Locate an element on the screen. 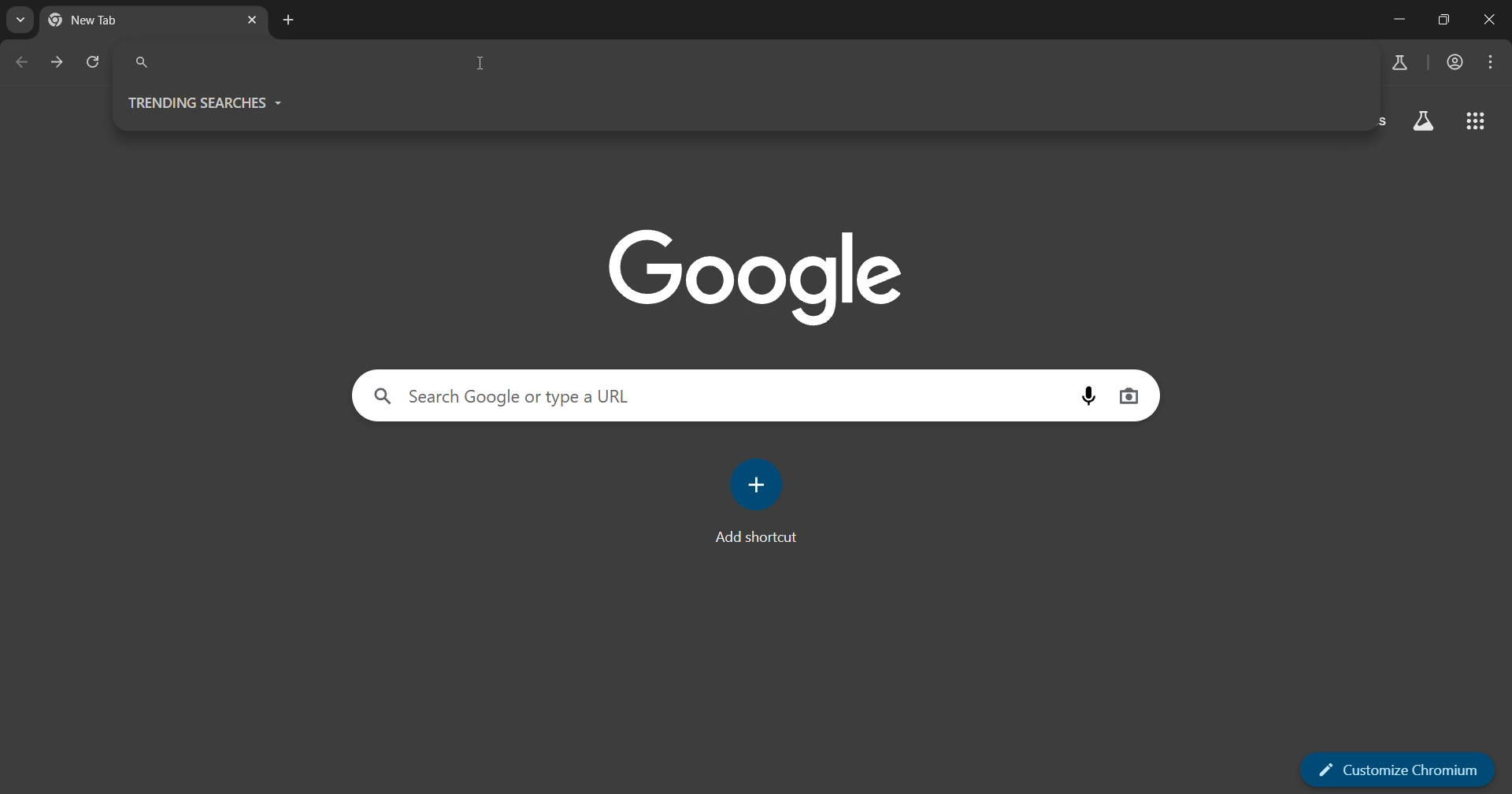  close tab is located at coordinates (252, 20).